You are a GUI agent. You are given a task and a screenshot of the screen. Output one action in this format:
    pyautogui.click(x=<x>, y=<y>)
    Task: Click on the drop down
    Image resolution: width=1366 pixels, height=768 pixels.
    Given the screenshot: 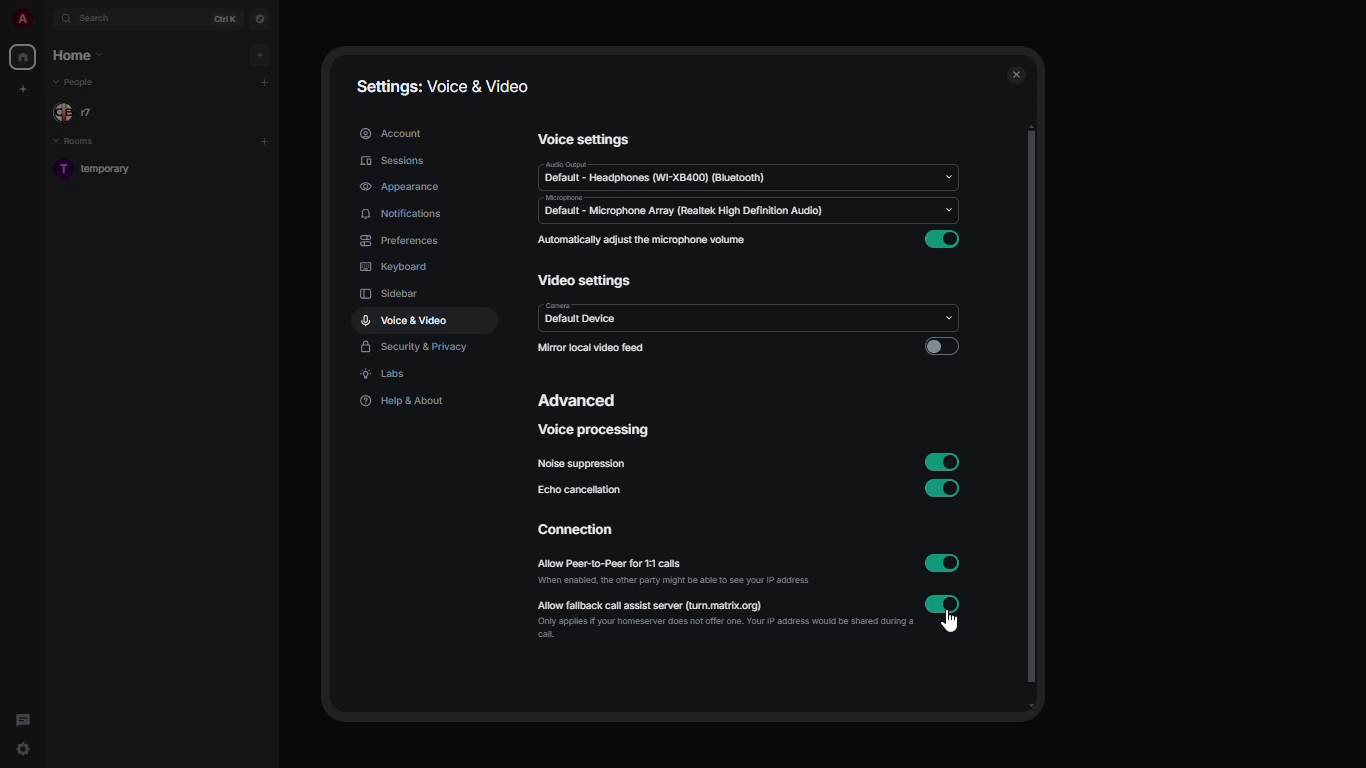 What is the action you would take?
    pyautogui.click(x=949, y=315)
    